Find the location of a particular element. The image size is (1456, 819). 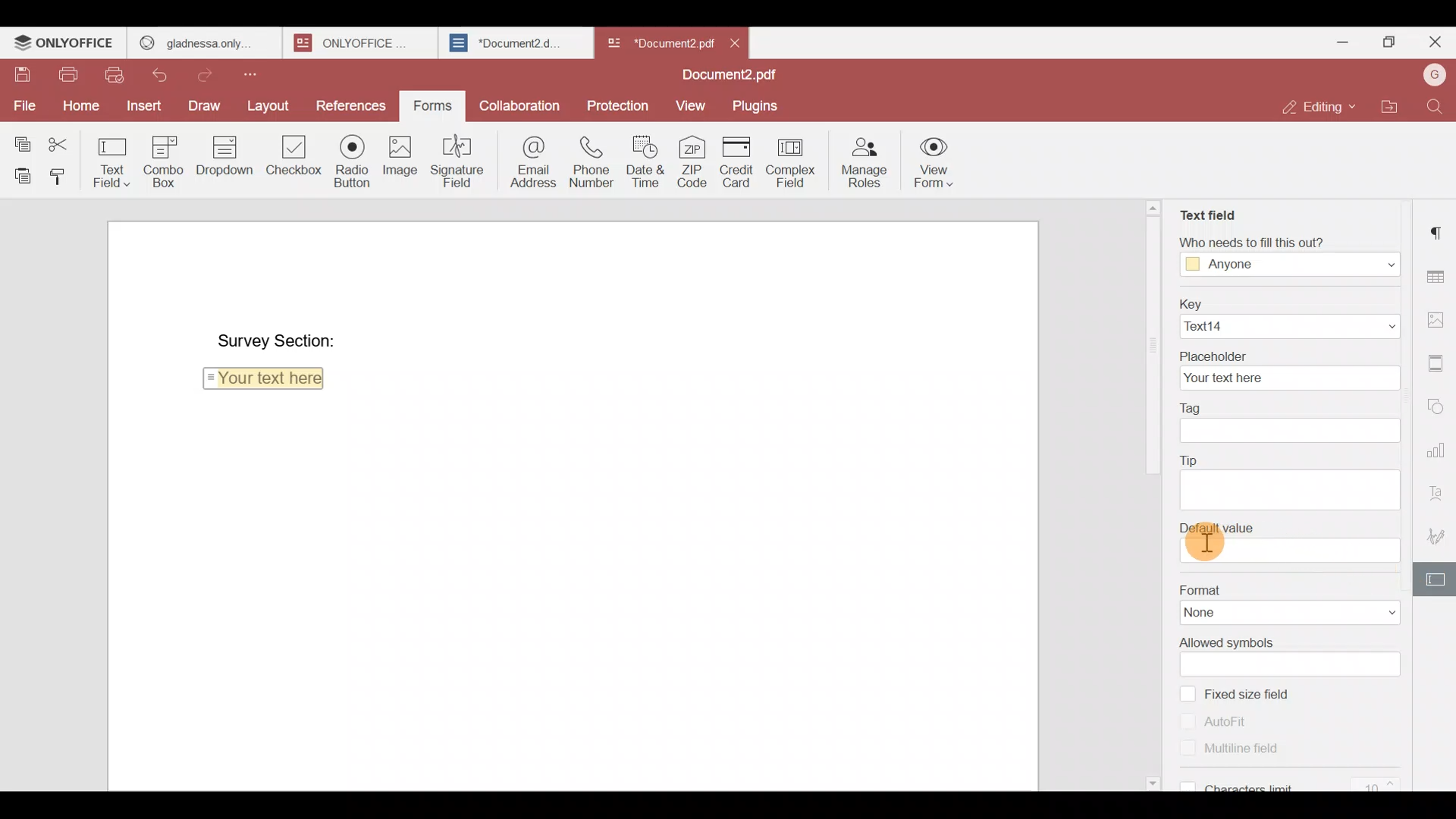

Your text here is located at coordinates (267, 381).